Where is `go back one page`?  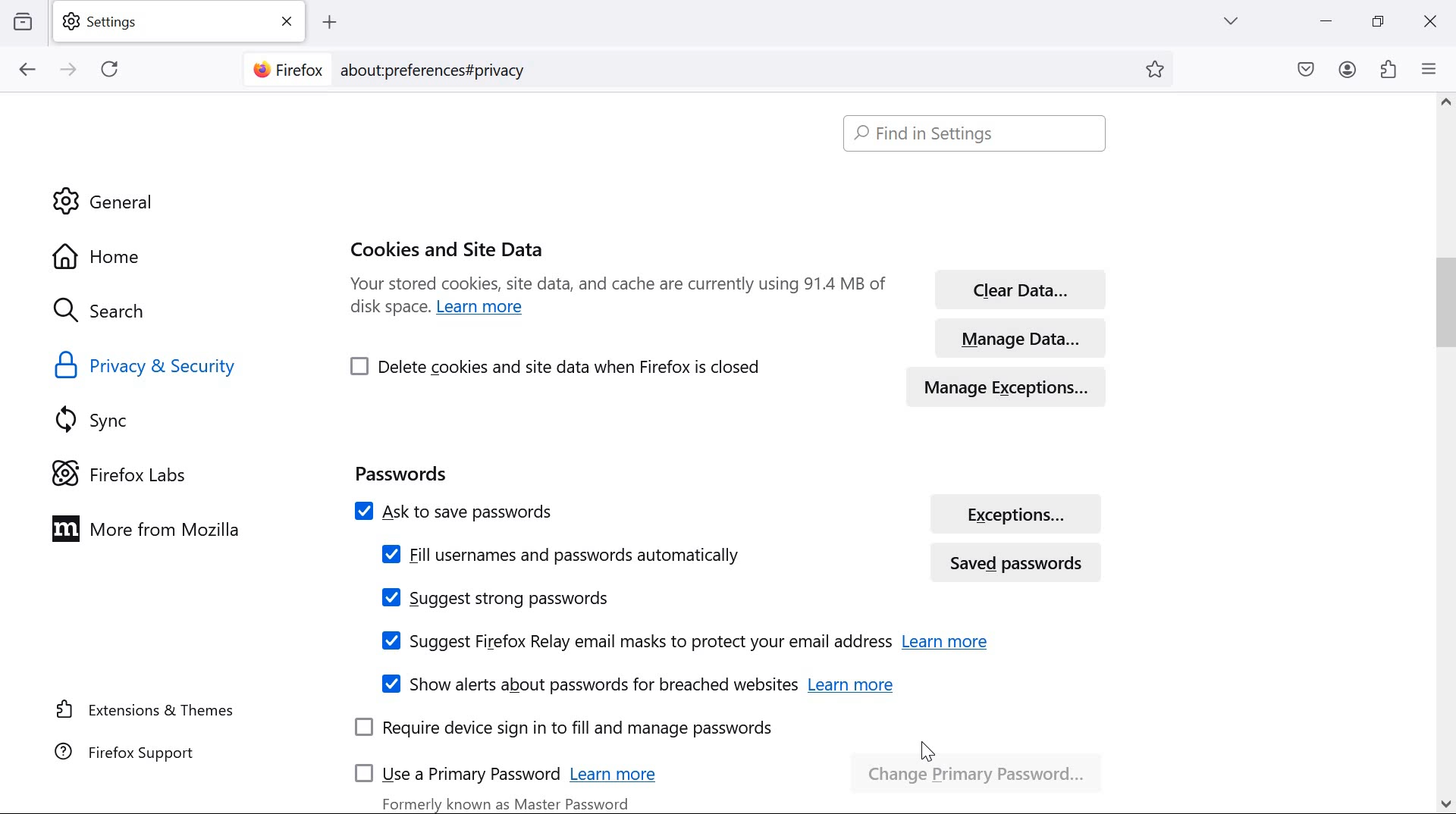
go back one page is located at coordinates (28, 69).